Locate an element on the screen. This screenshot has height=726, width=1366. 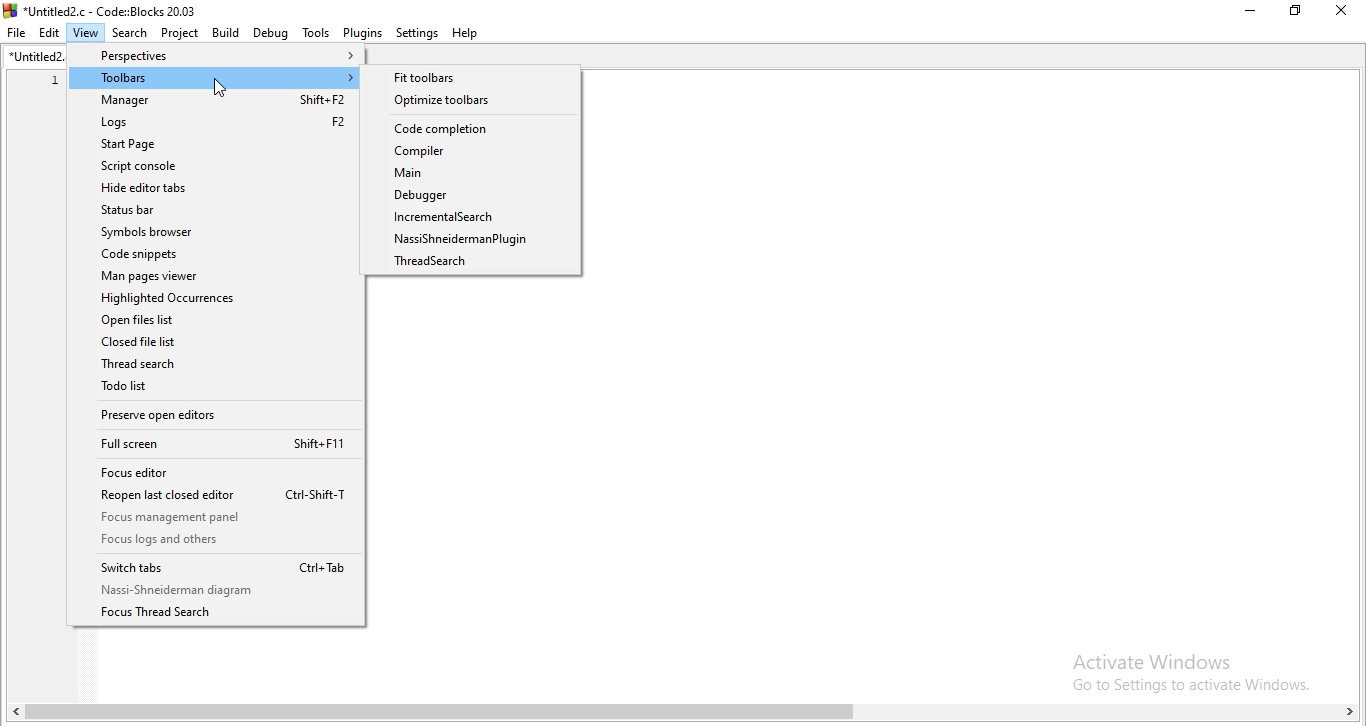
Debugger is located at coordinates (472, 194).